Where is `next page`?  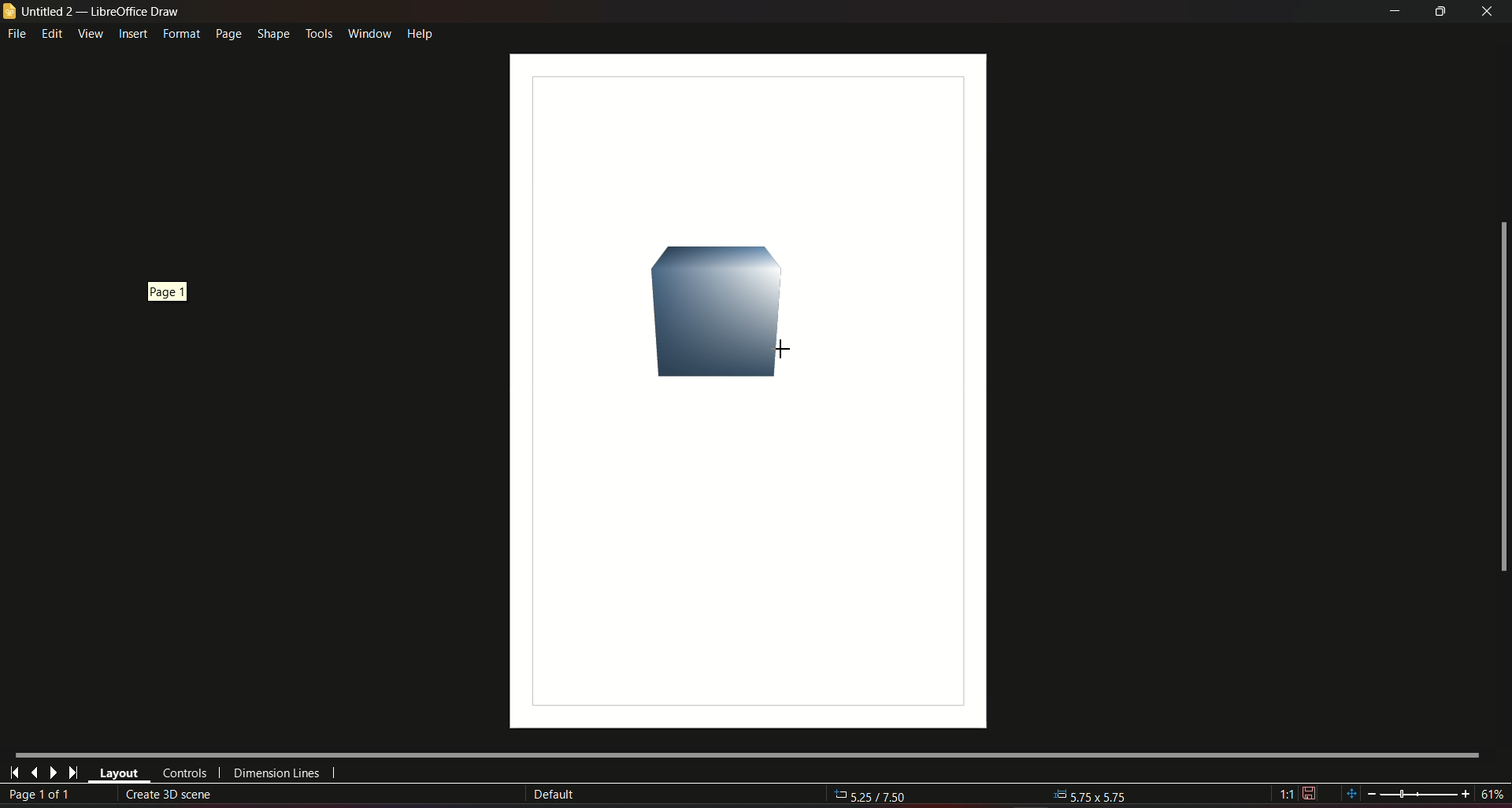
next page is located at coordinates (53, 773).